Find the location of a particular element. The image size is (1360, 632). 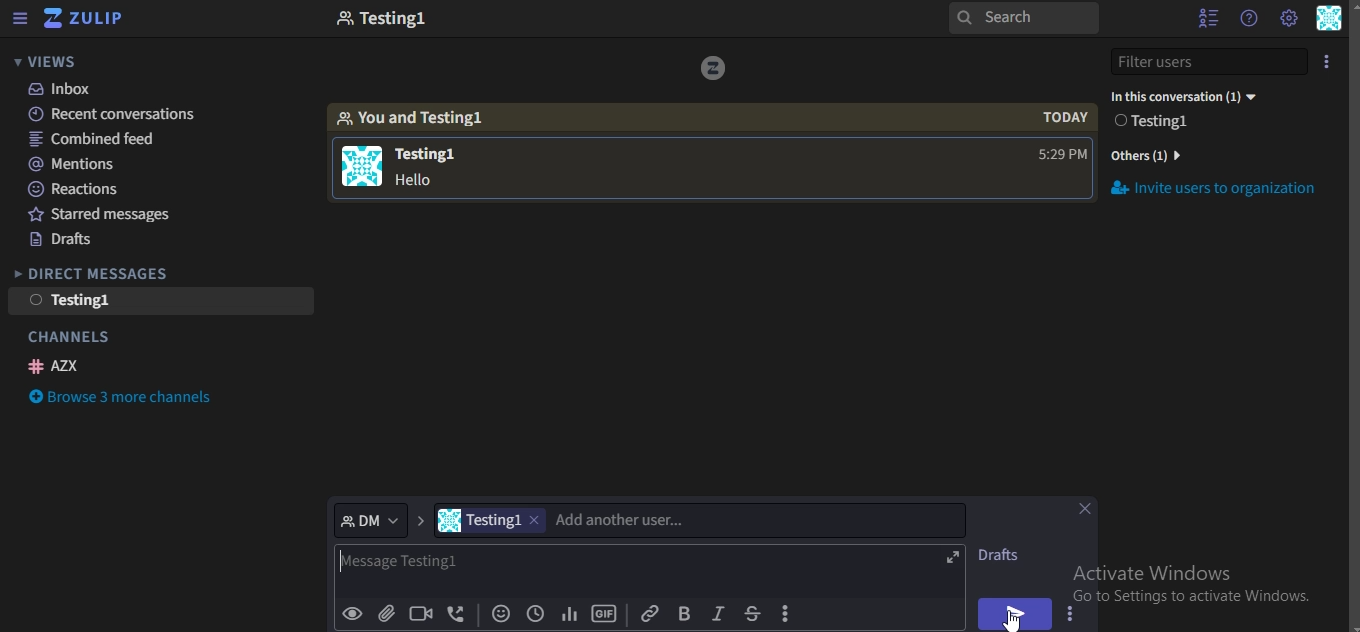

italic is located at coordinates (717, 614).